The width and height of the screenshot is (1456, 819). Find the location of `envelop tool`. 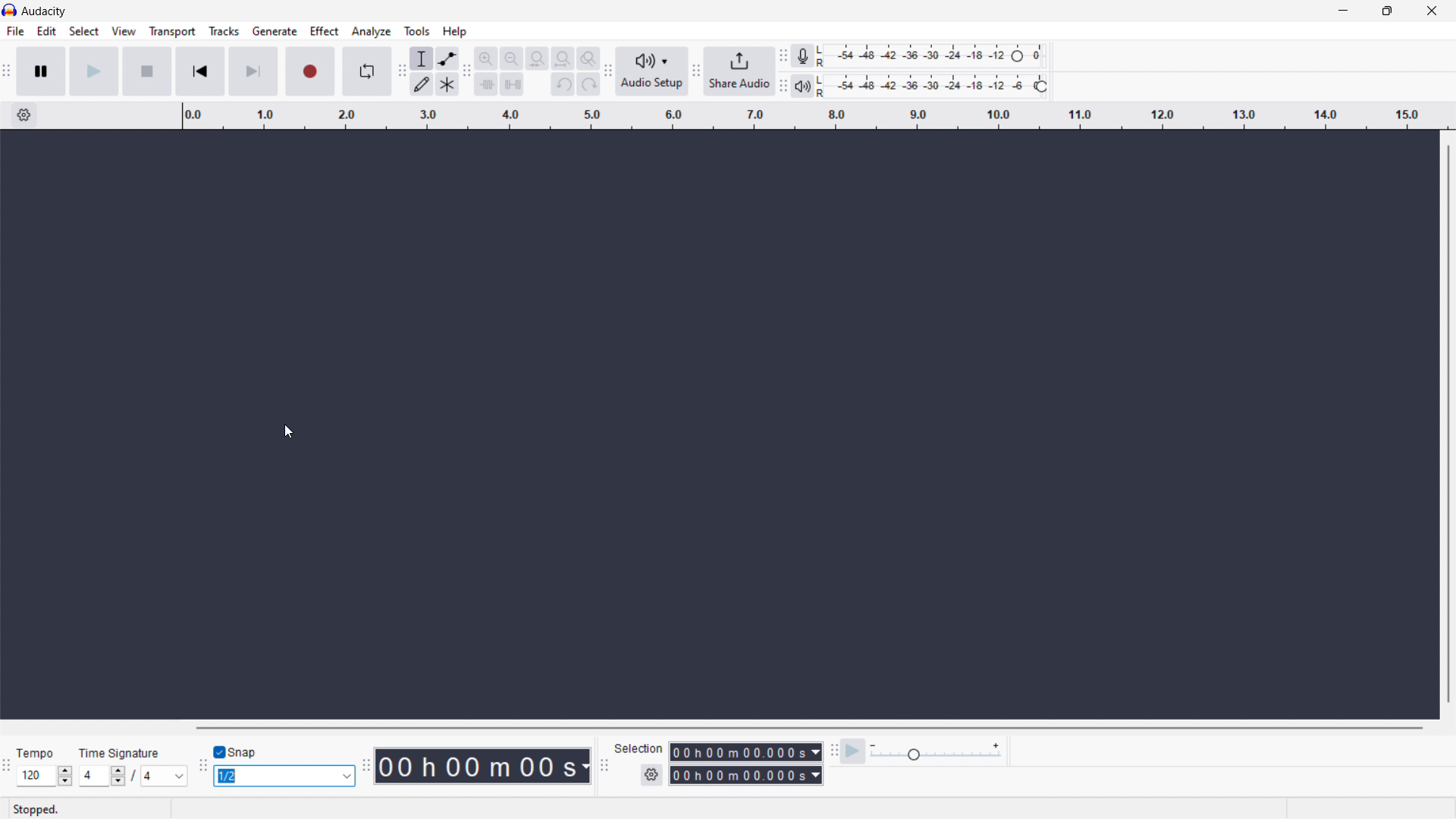

envelop tool is located at coordinates (447, 59).